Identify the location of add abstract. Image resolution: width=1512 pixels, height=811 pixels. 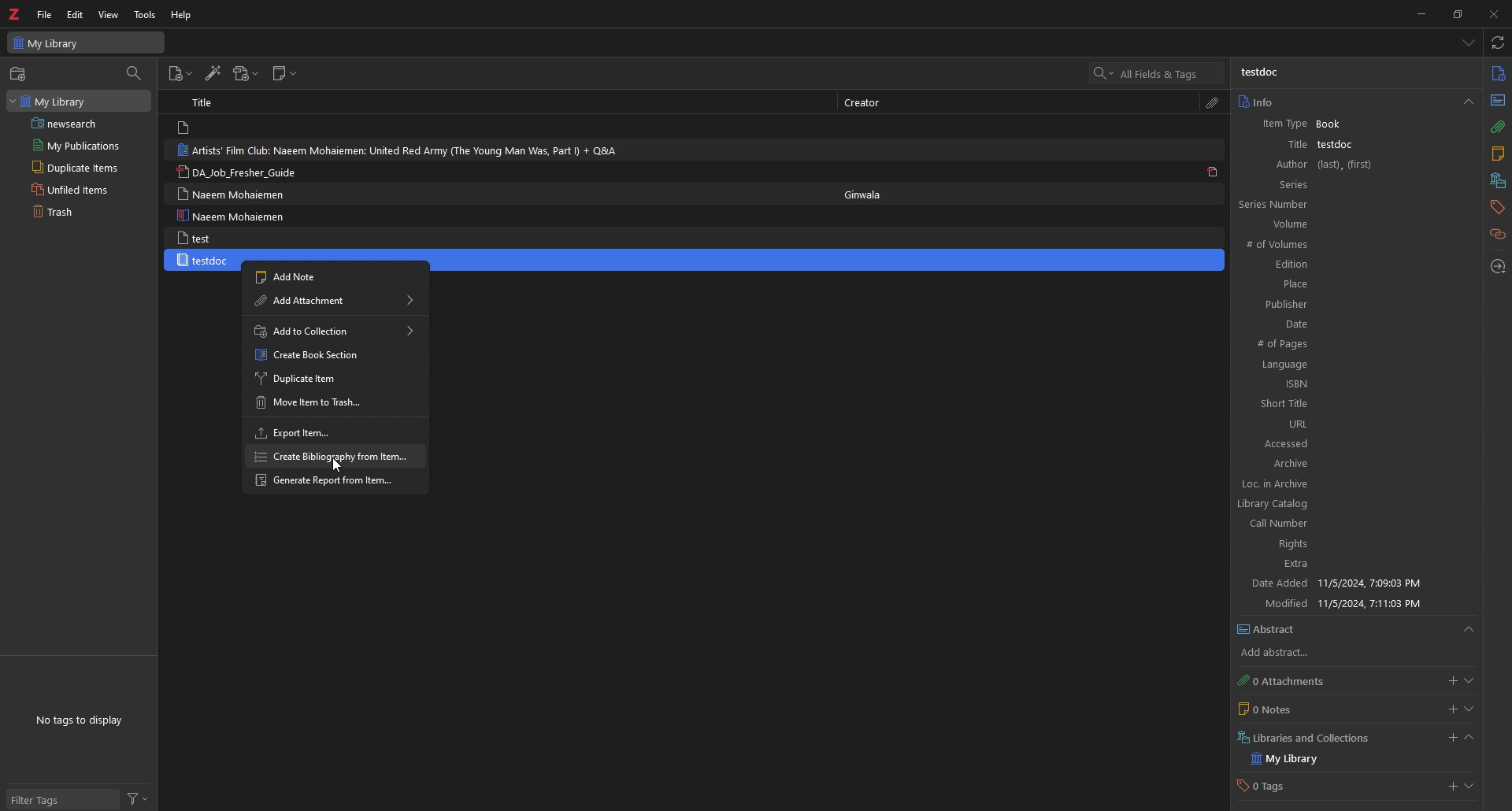
(1288, 654).